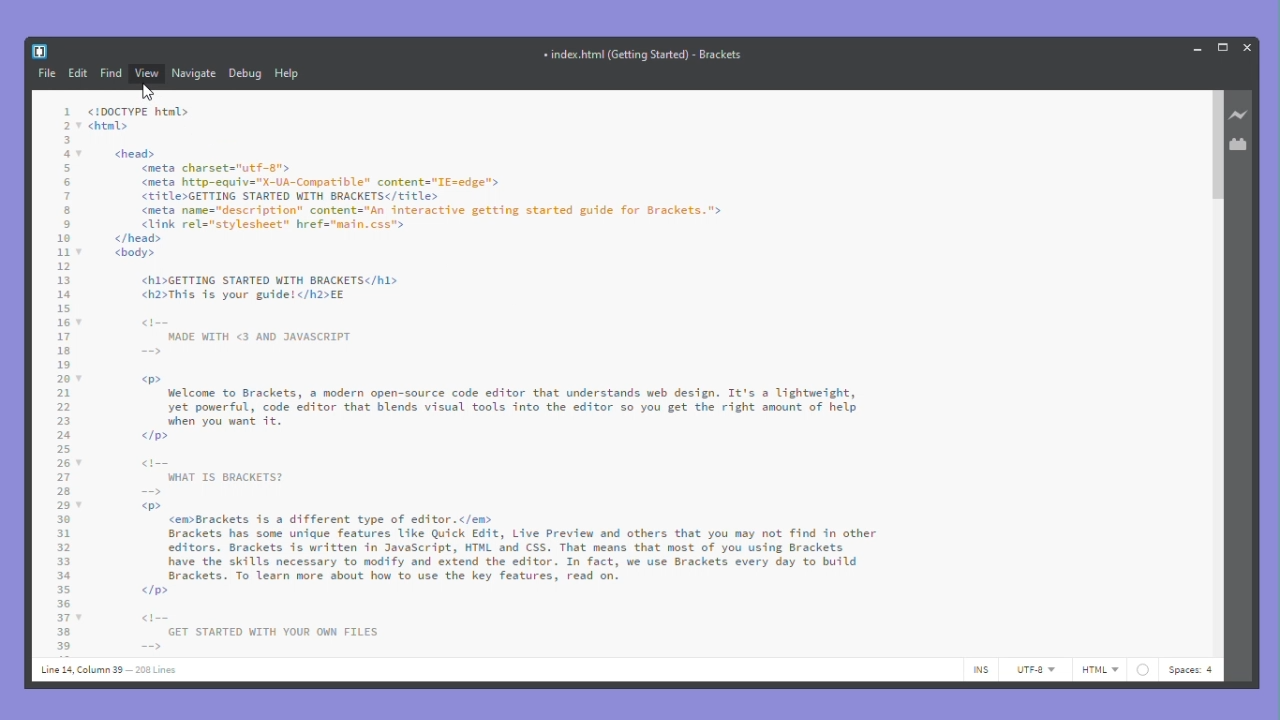  I want to click on code fold, so click(81, 125).